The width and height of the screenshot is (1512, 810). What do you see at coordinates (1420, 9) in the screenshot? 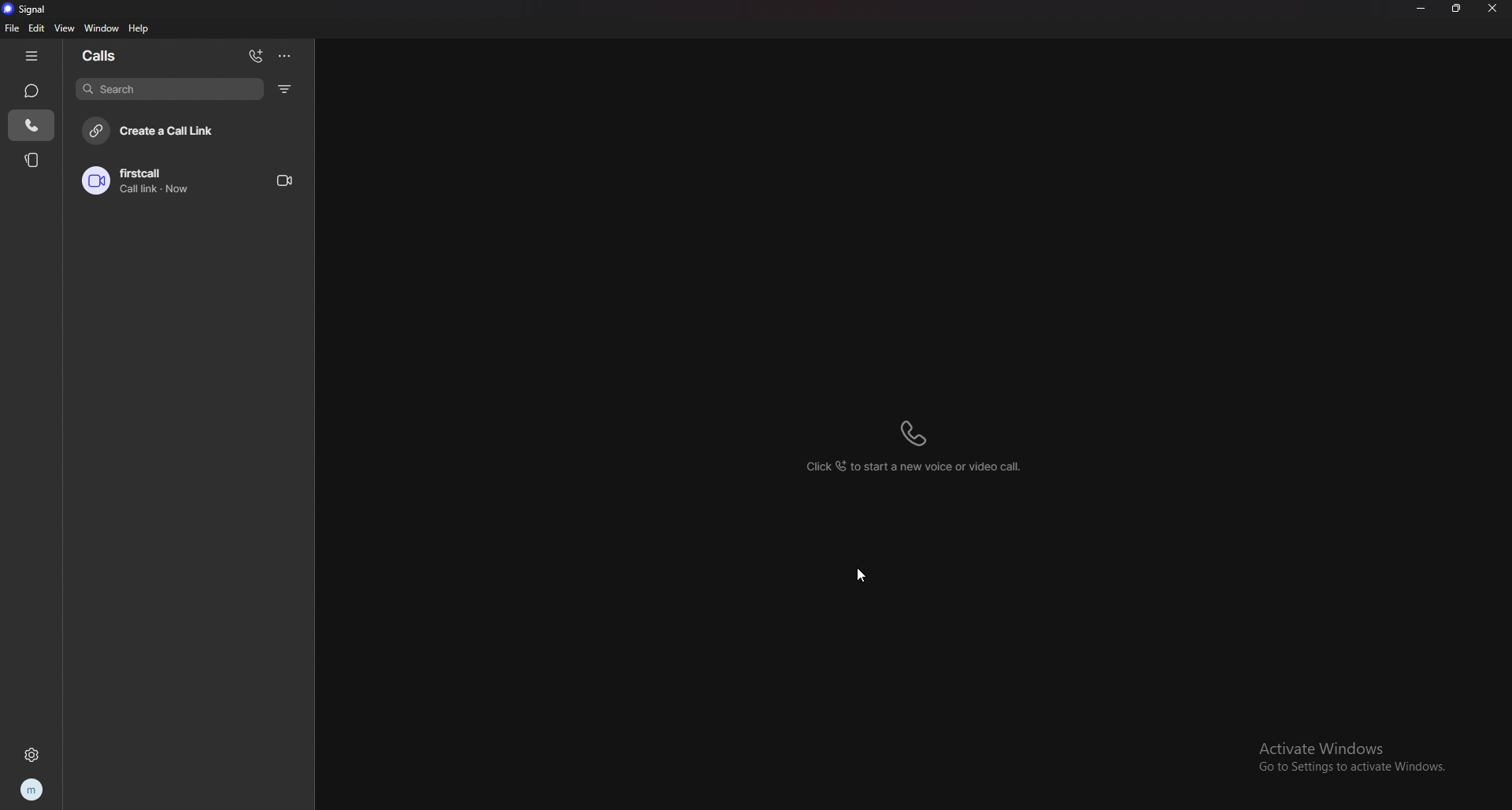
I see `minimize` at bounding box center [1420, 9].